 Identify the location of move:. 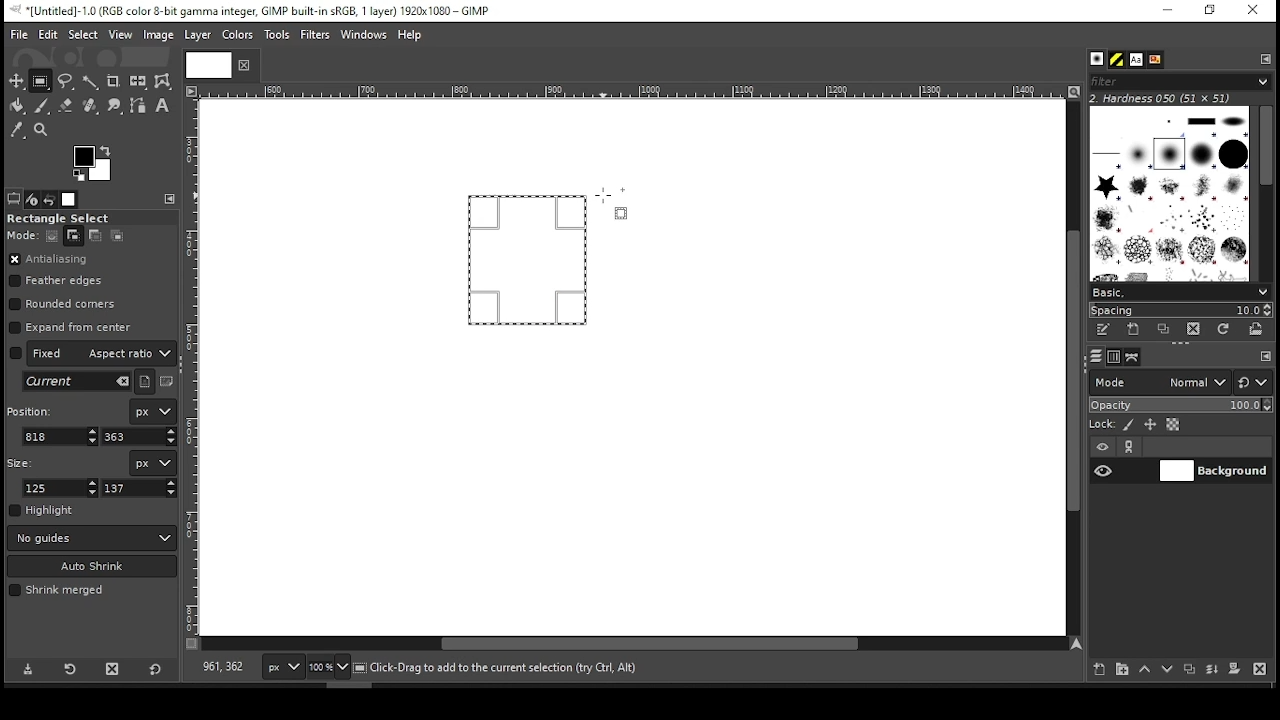
(22, 235).